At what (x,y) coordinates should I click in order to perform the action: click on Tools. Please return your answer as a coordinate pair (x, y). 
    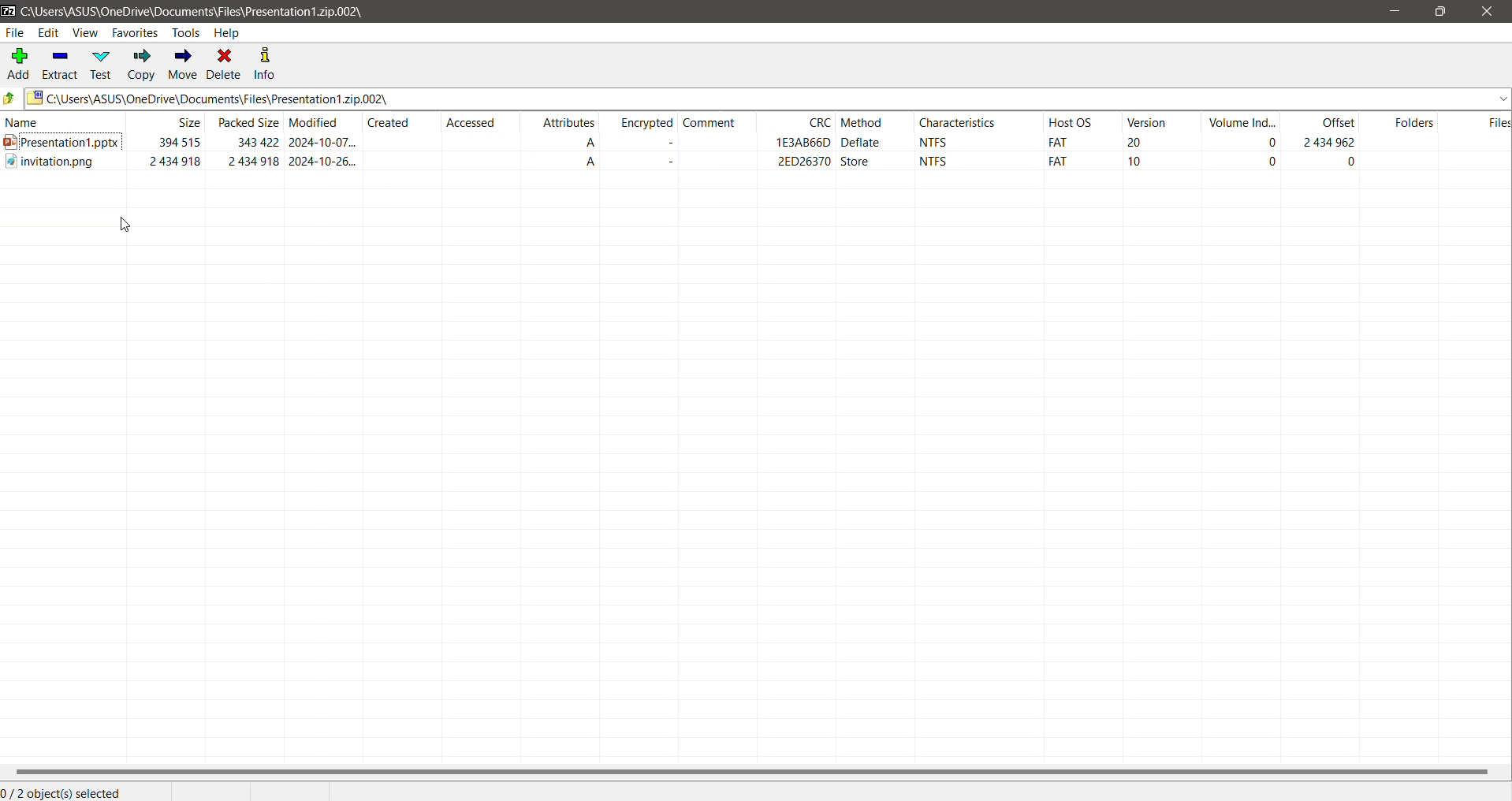
    Looking at the image, I should click on (187, 33).